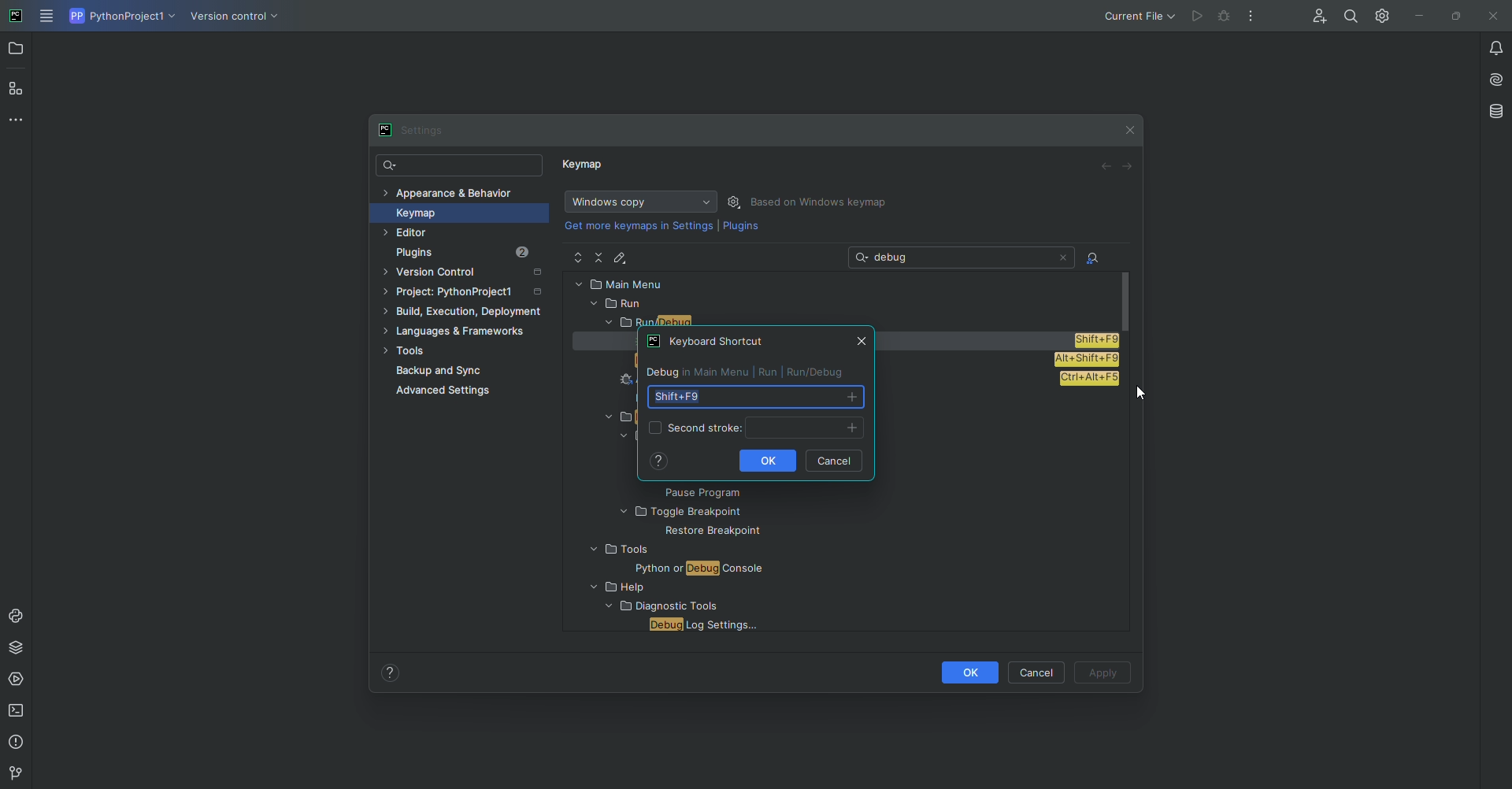 The image size is (1512, 789). I want to click on FOLDER NAME, so click(678, 588).